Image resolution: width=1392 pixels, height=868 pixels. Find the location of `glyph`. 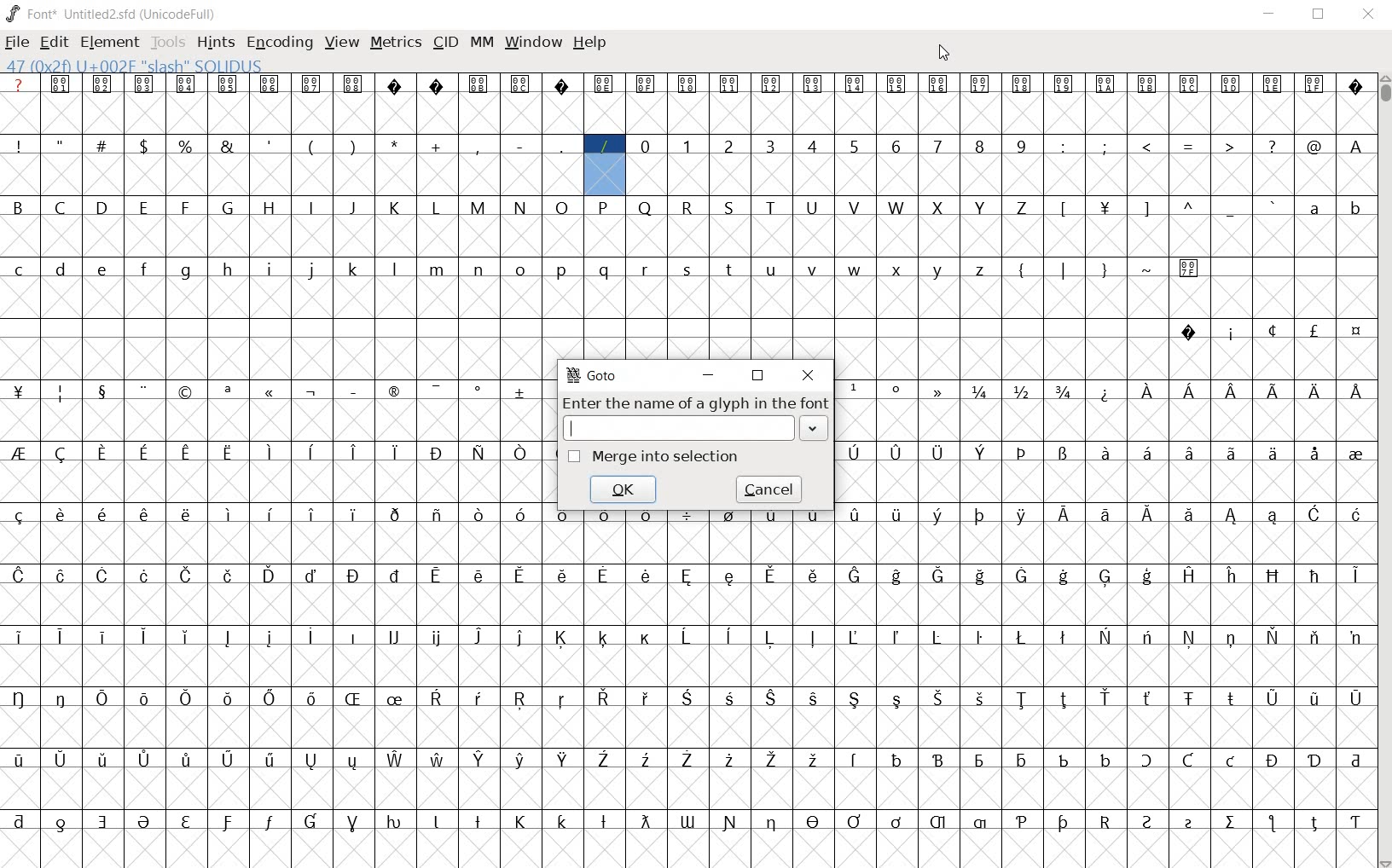

glyph is located at coordinates (604, 638).